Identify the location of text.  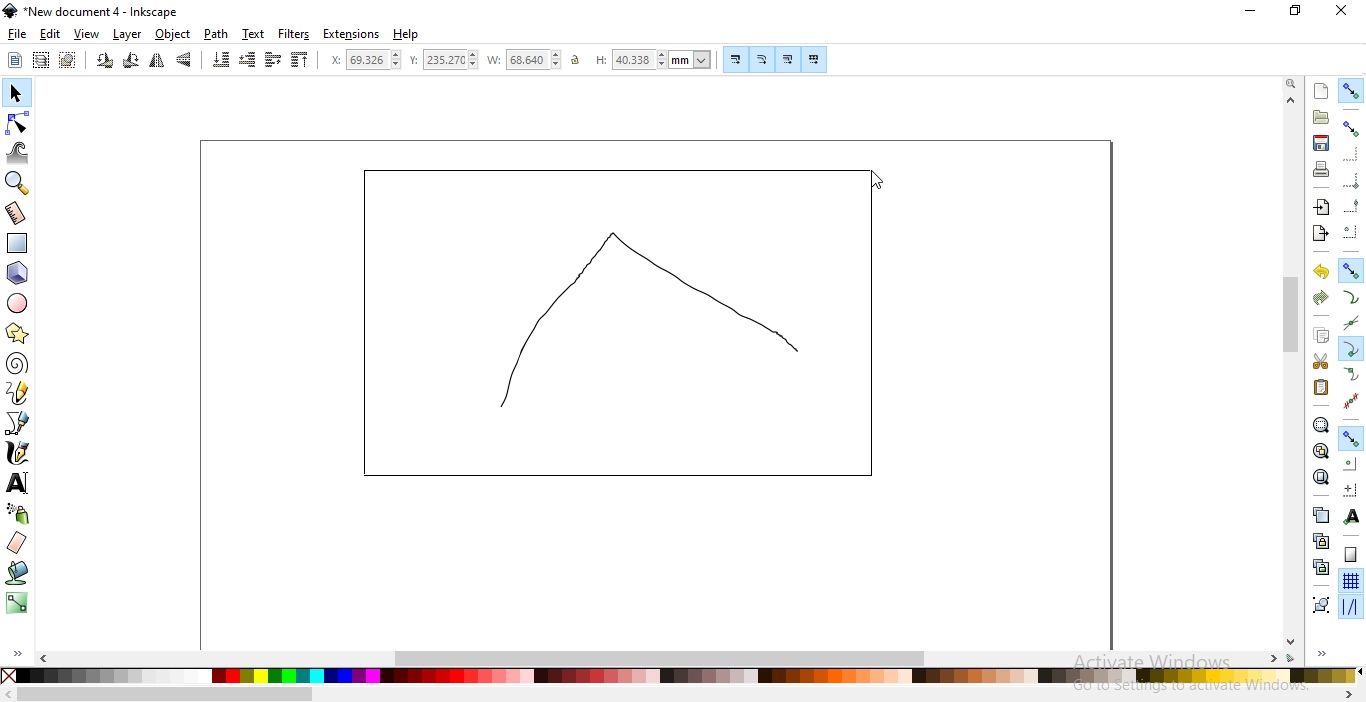
(254, 33).